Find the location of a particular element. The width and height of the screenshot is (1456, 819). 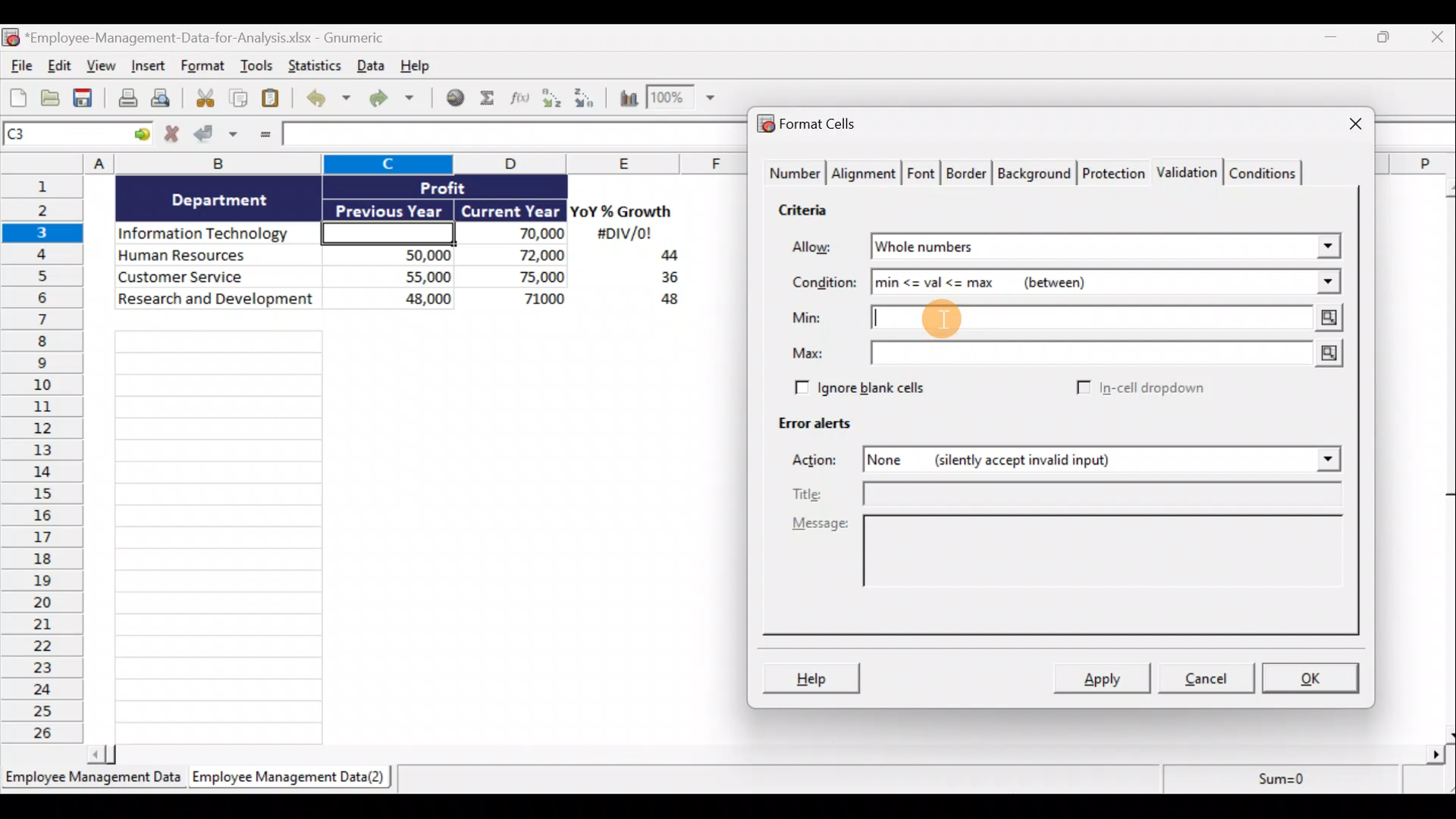

Department is located at coordinates (220, 199).